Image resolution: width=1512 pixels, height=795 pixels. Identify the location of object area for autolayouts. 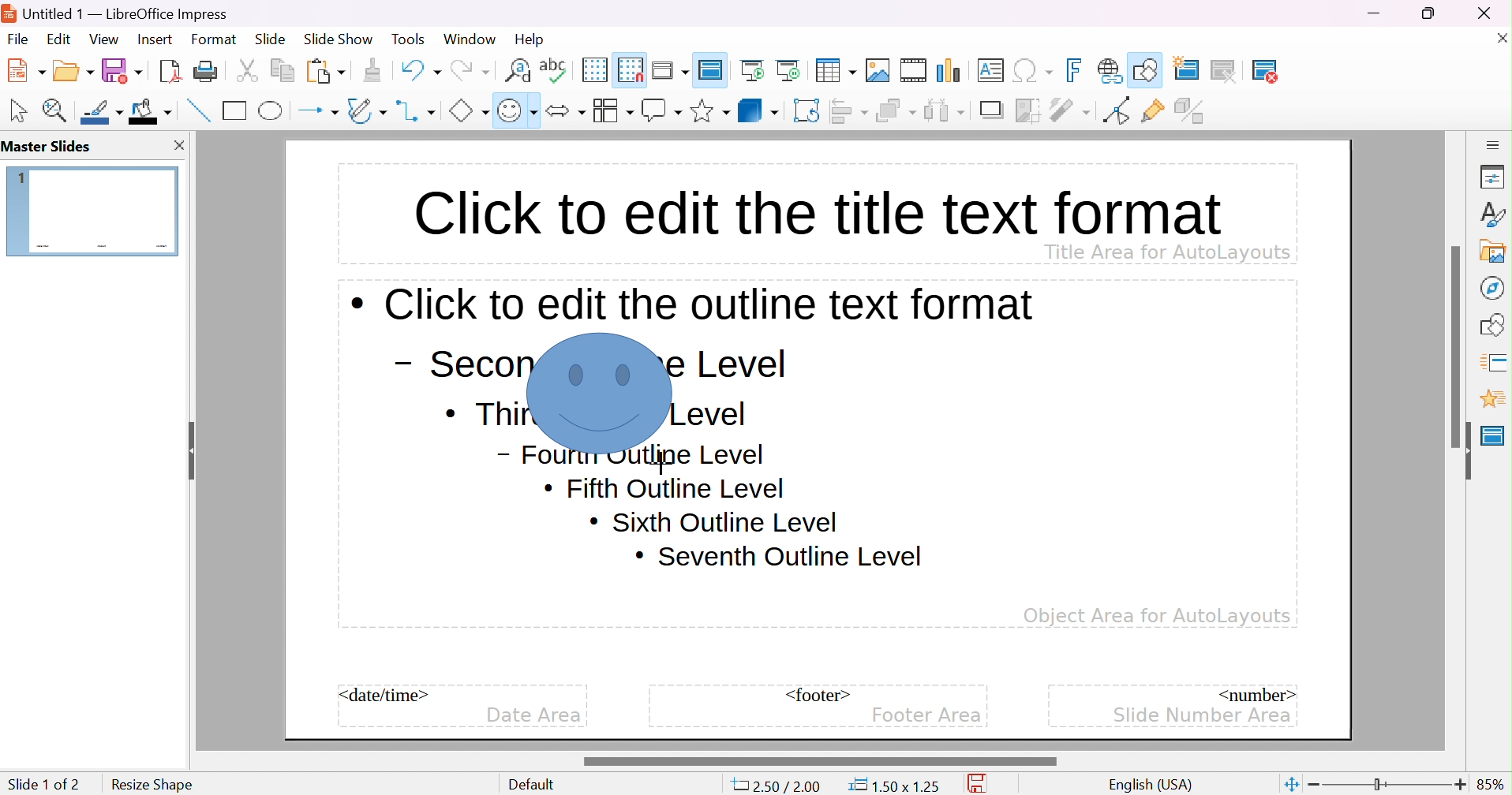
(1157, 616).